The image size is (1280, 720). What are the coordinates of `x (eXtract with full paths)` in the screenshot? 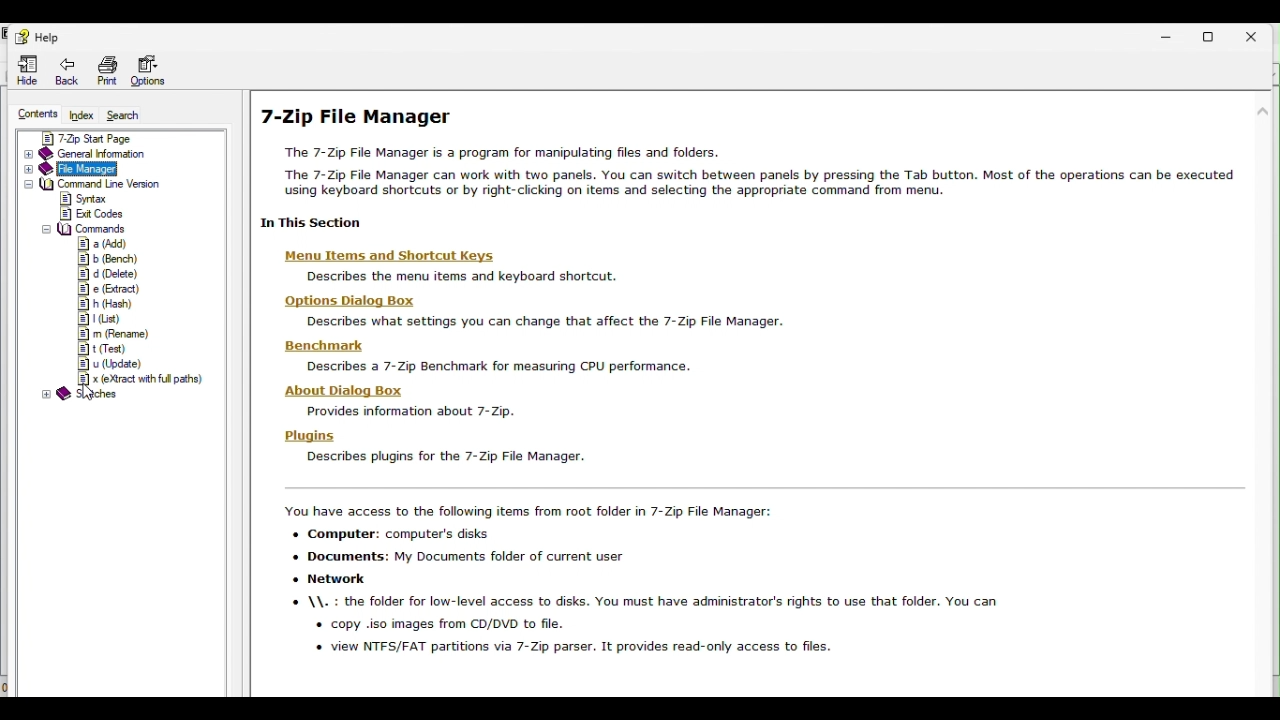 It's located at (137, 379).